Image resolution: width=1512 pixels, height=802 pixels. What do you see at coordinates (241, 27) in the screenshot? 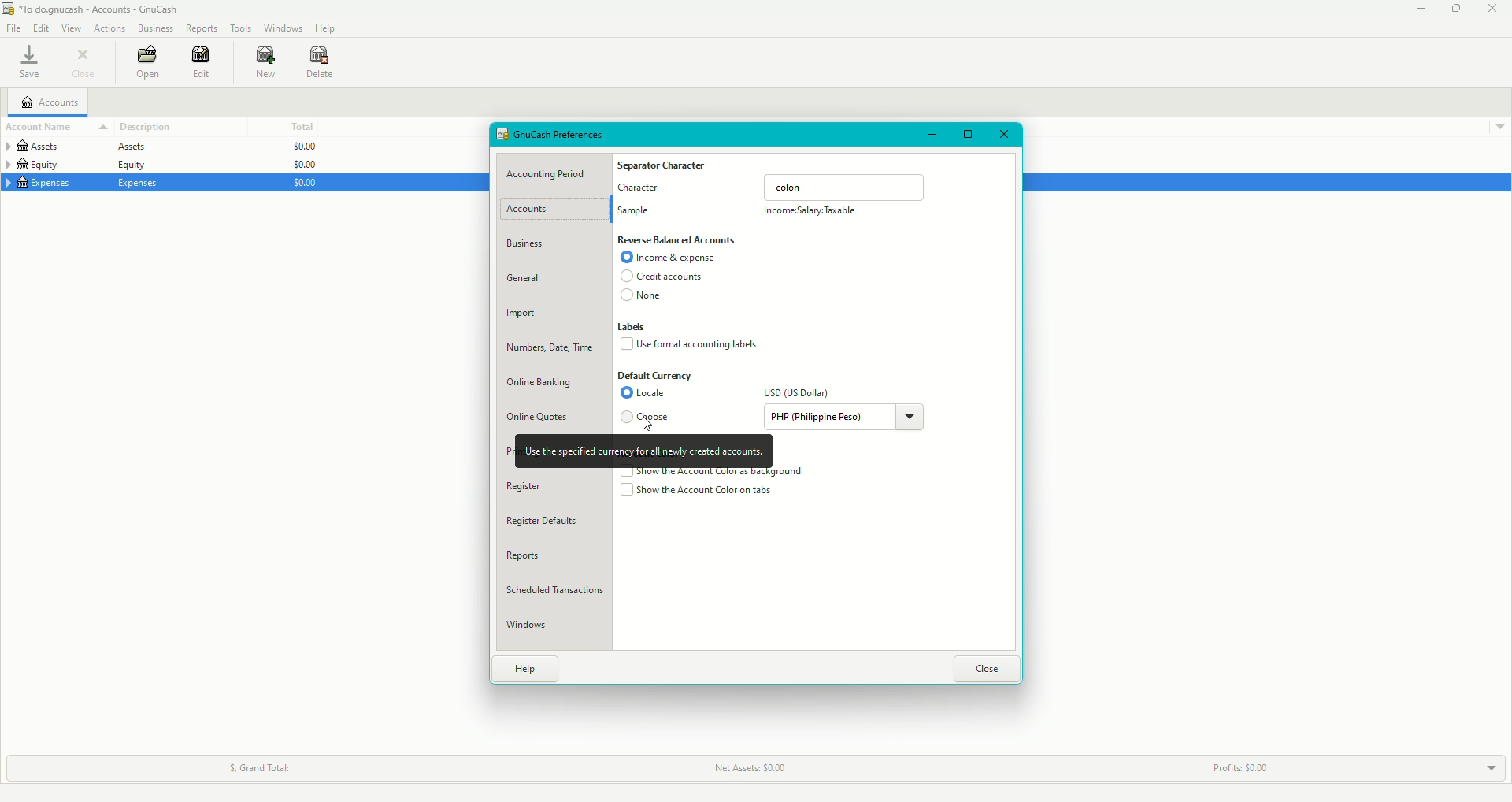
I see `Tools` at bounding box center [241, 27].